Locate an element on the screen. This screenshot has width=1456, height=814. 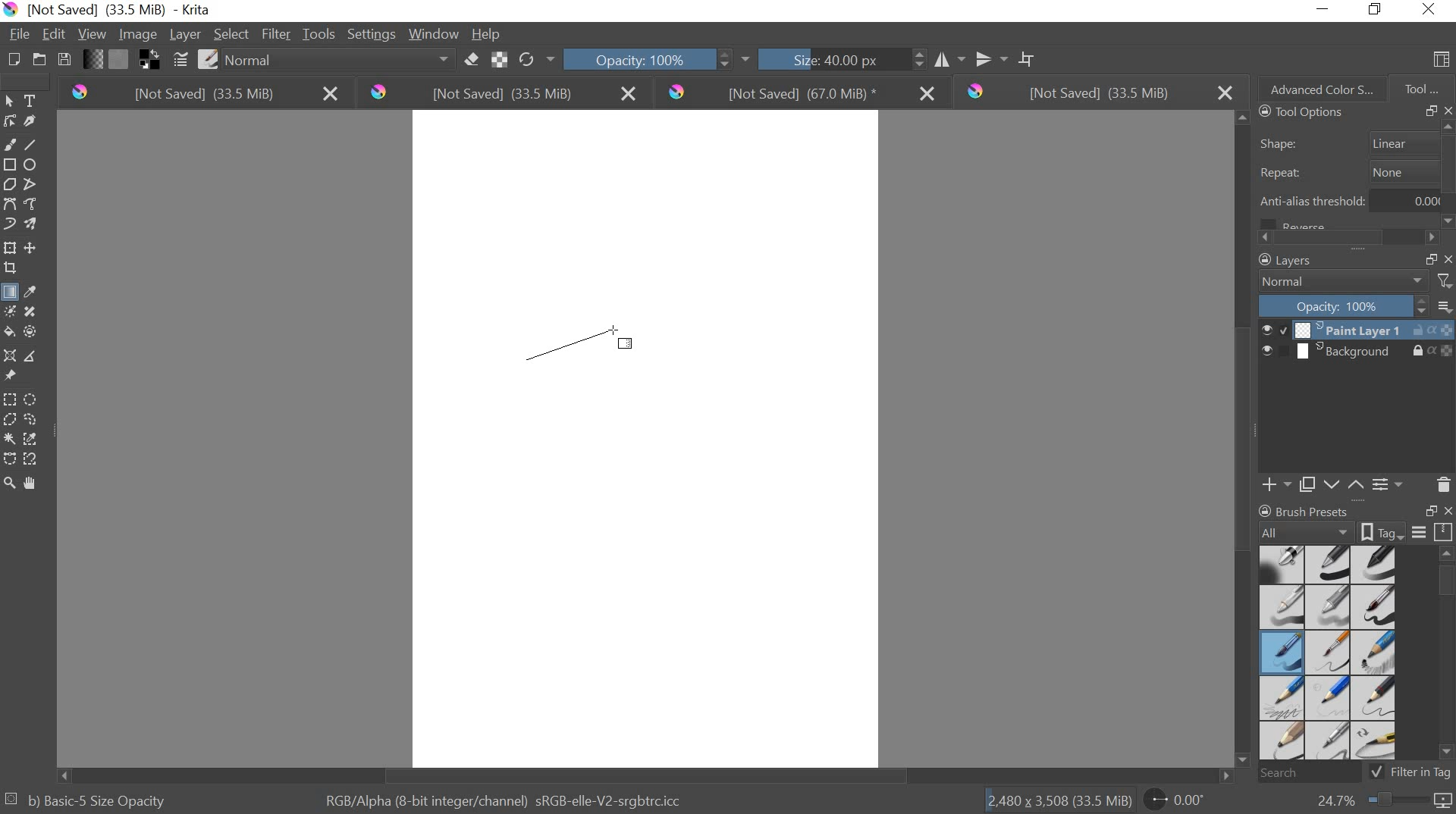
freehand selection is located at coordinates (33, 421).